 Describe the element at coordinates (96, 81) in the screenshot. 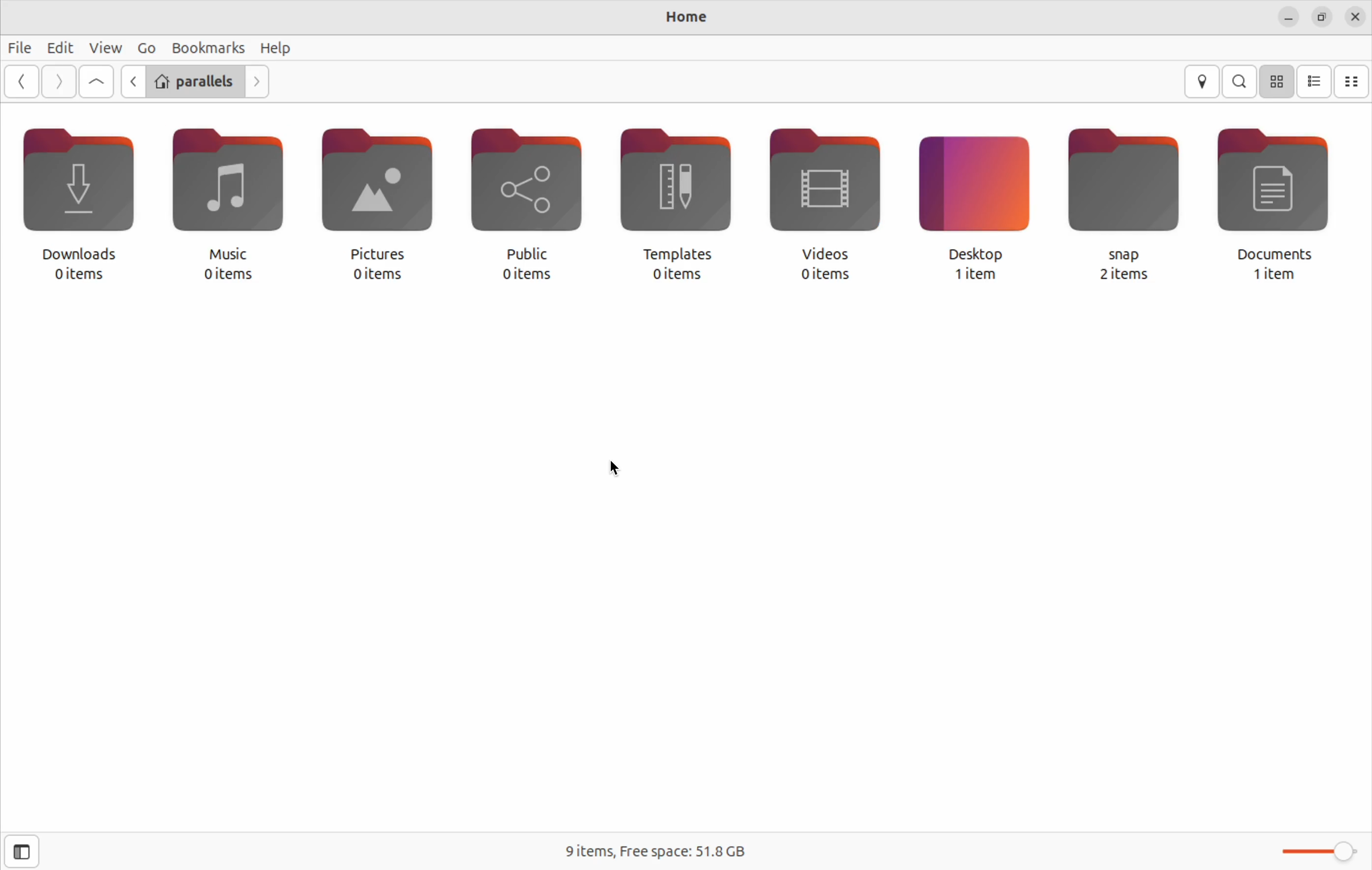

I see `go first` at that location.